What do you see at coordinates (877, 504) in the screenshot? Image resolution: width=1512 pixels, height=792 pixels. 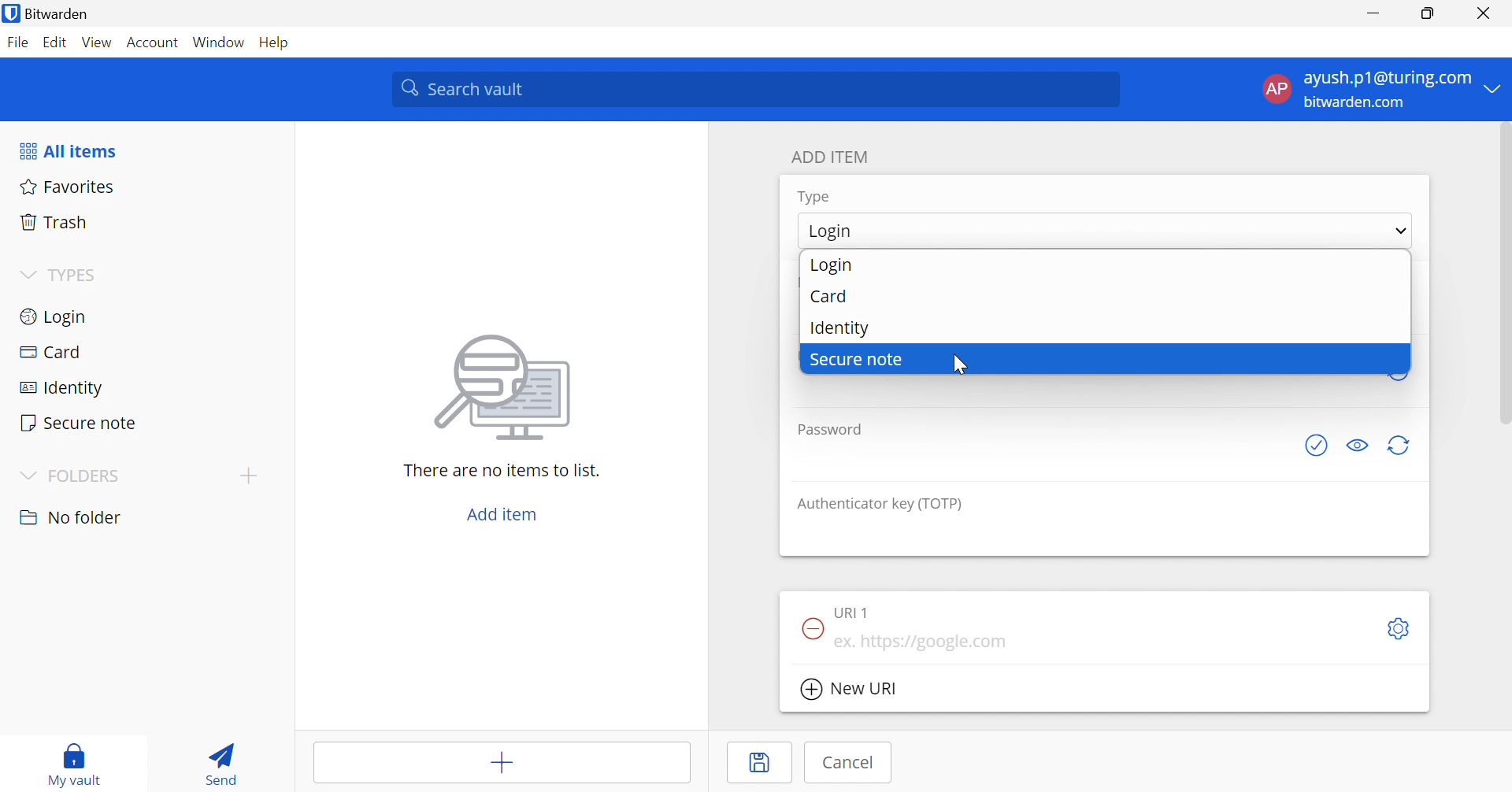 I see `Authenticator key (TOTP)` at bounding box center [877, 504].